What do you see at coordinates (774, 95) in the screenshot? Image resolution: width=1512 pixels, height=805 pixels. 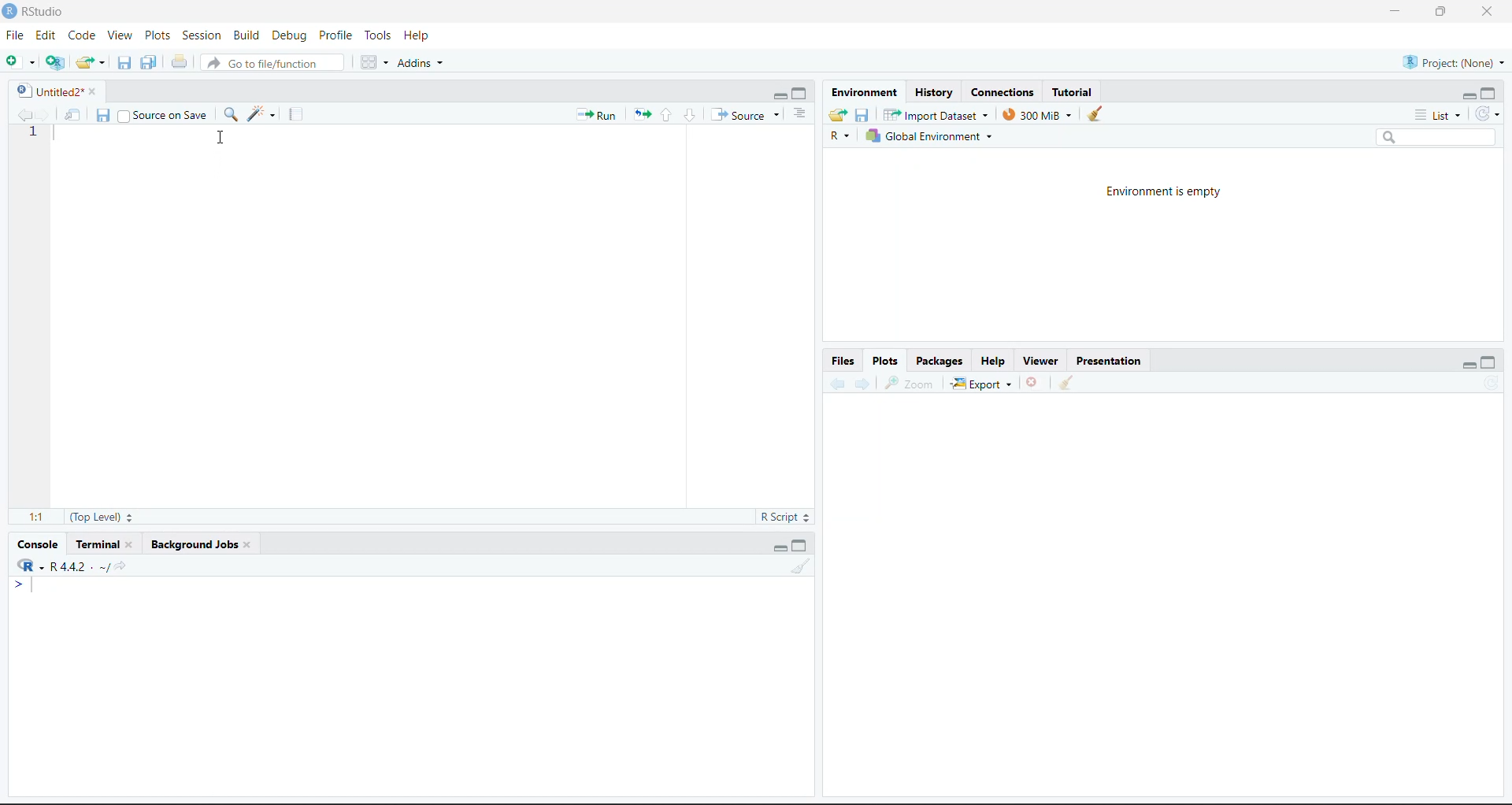 I see `hide r script` at bounding box center [774, 95].